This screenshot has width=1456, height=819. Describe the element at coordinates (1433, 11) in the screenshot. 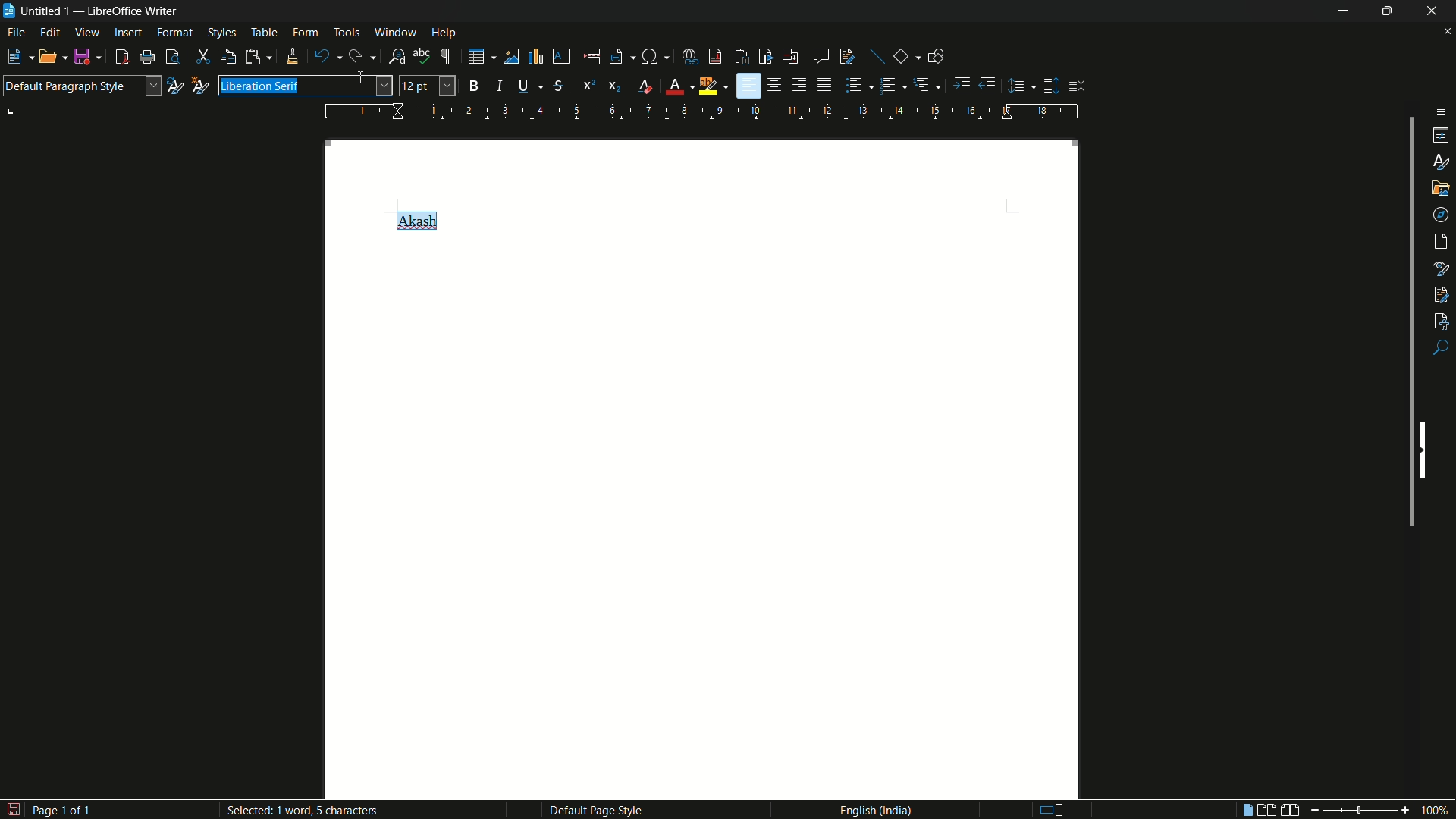

I see `close app` at that location.